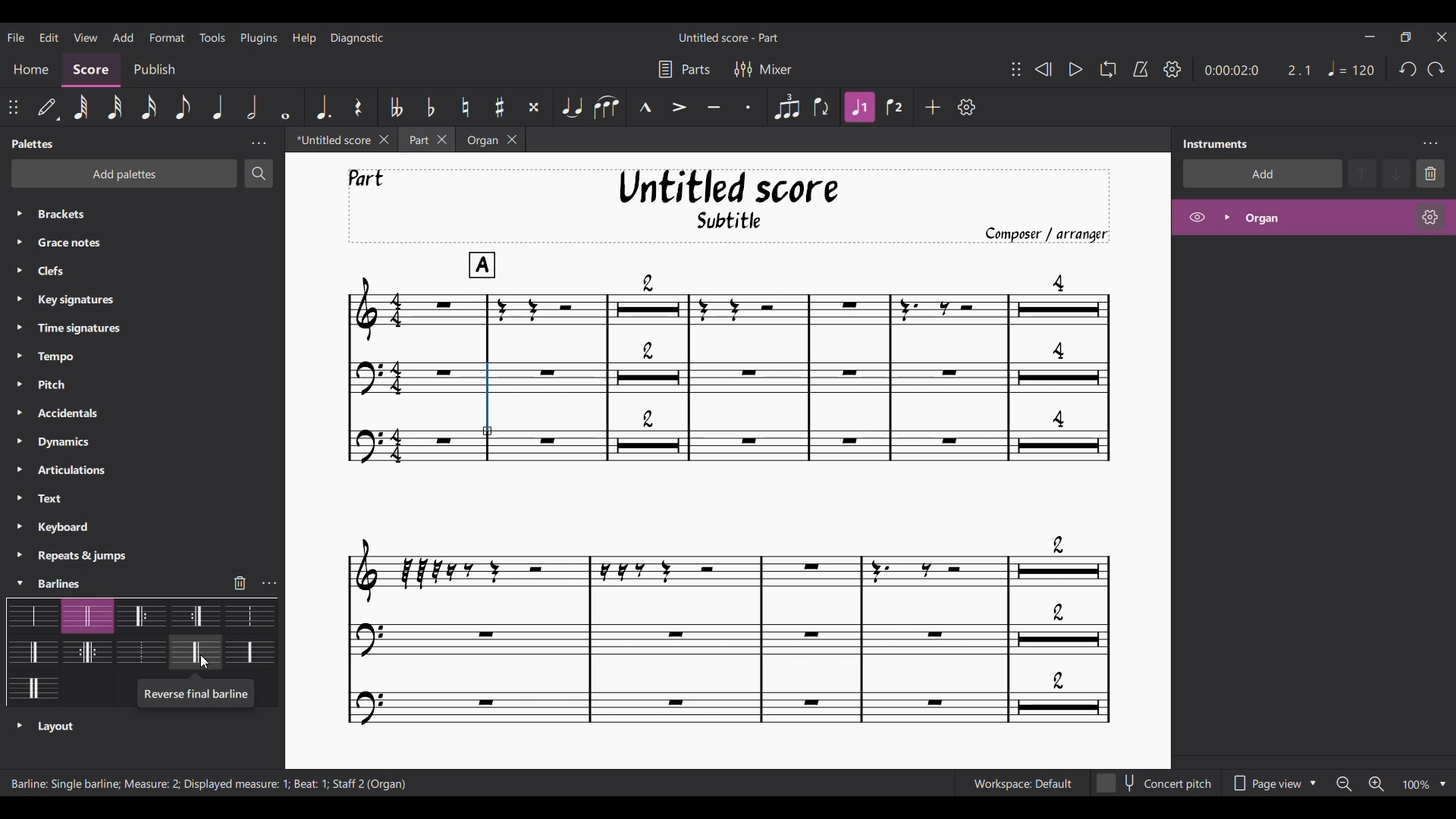 Image resolution: width=1456 pixels, height=819 pixels. I want to click on Augmentation dot, so click(323, 108).